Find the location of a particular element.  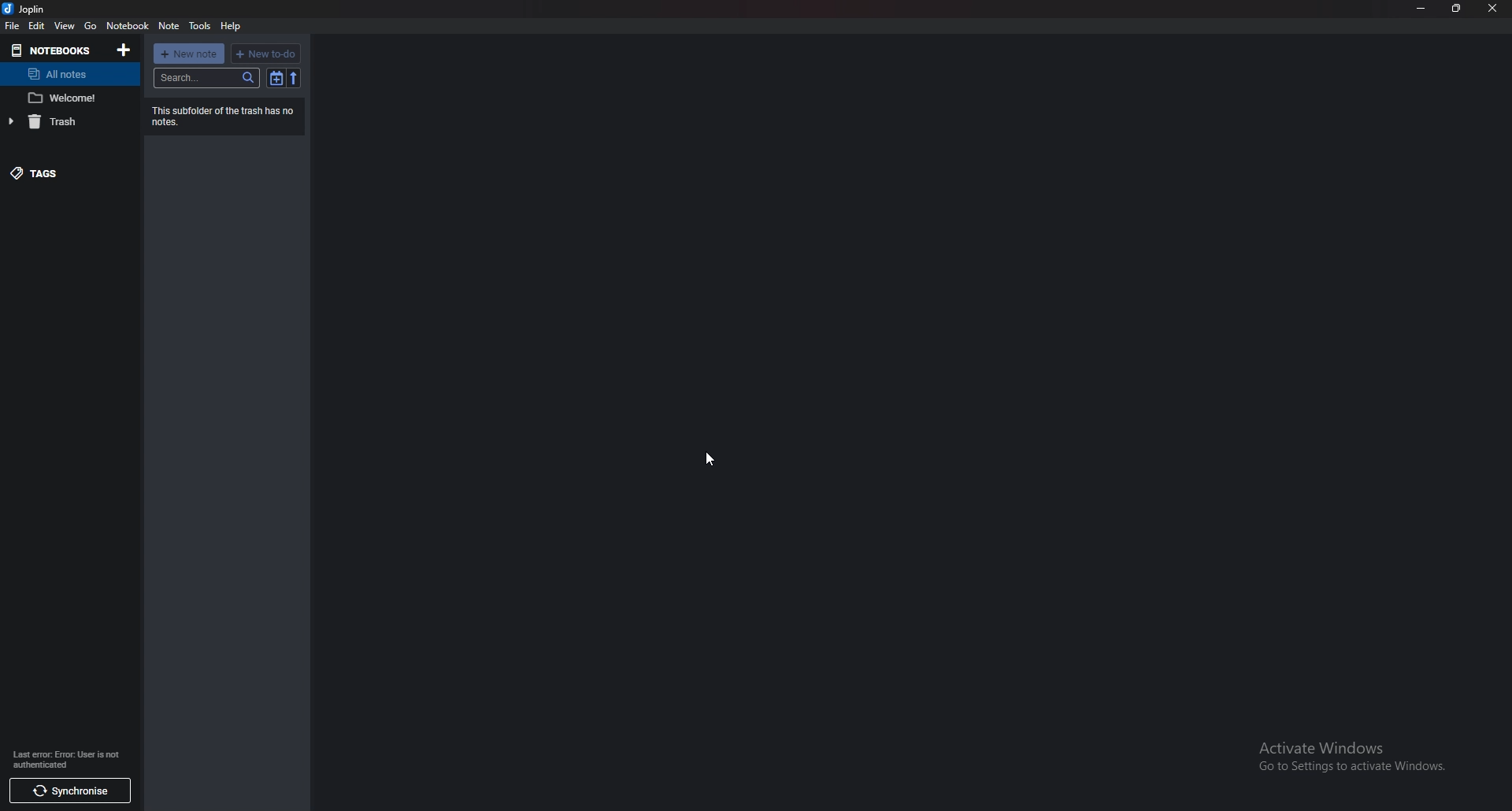

Add notebooks is located at coordinates (124, 50).